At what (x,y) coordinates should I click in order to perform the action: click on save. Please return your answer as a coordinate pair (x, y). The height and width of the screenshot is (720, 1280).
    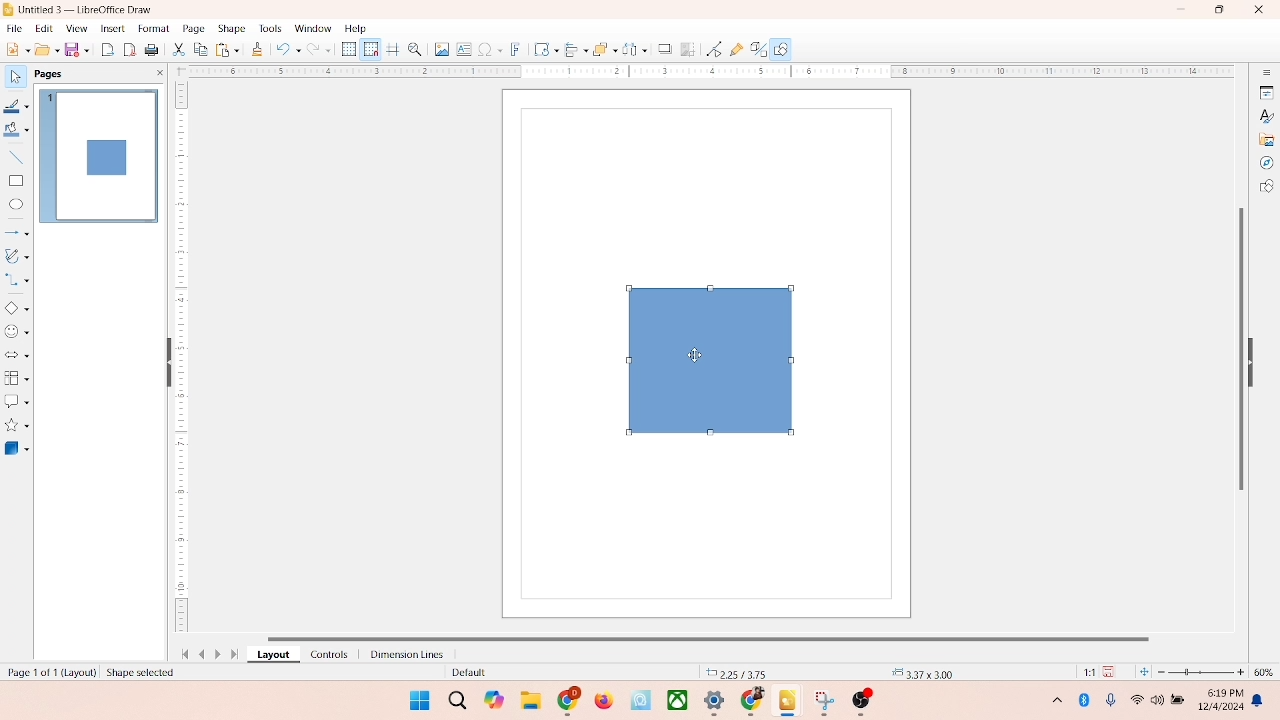
    Looking at the image, I should click on (1112, 671).